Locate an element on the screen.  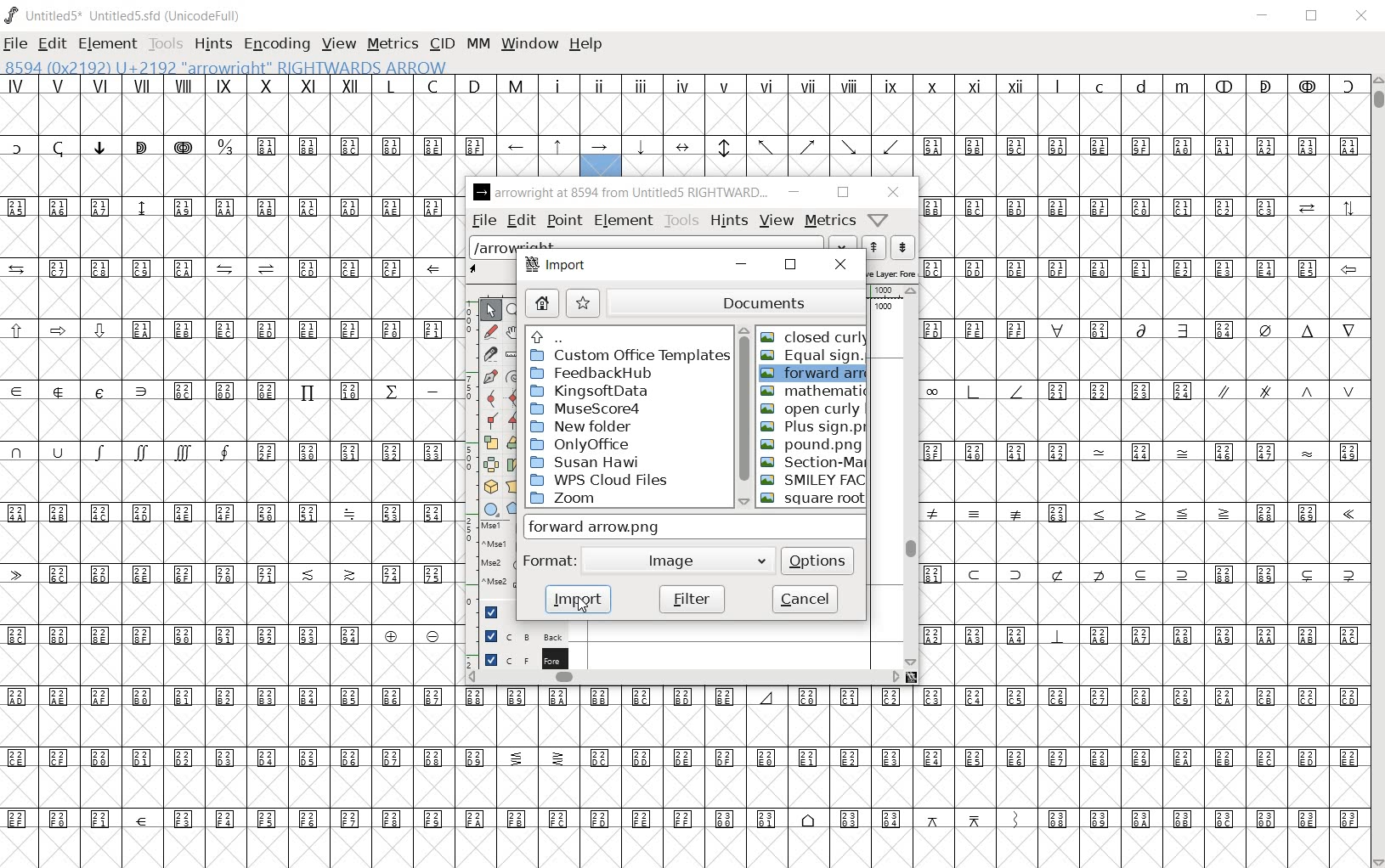
WINDOW is located at coordinates (531, 45).